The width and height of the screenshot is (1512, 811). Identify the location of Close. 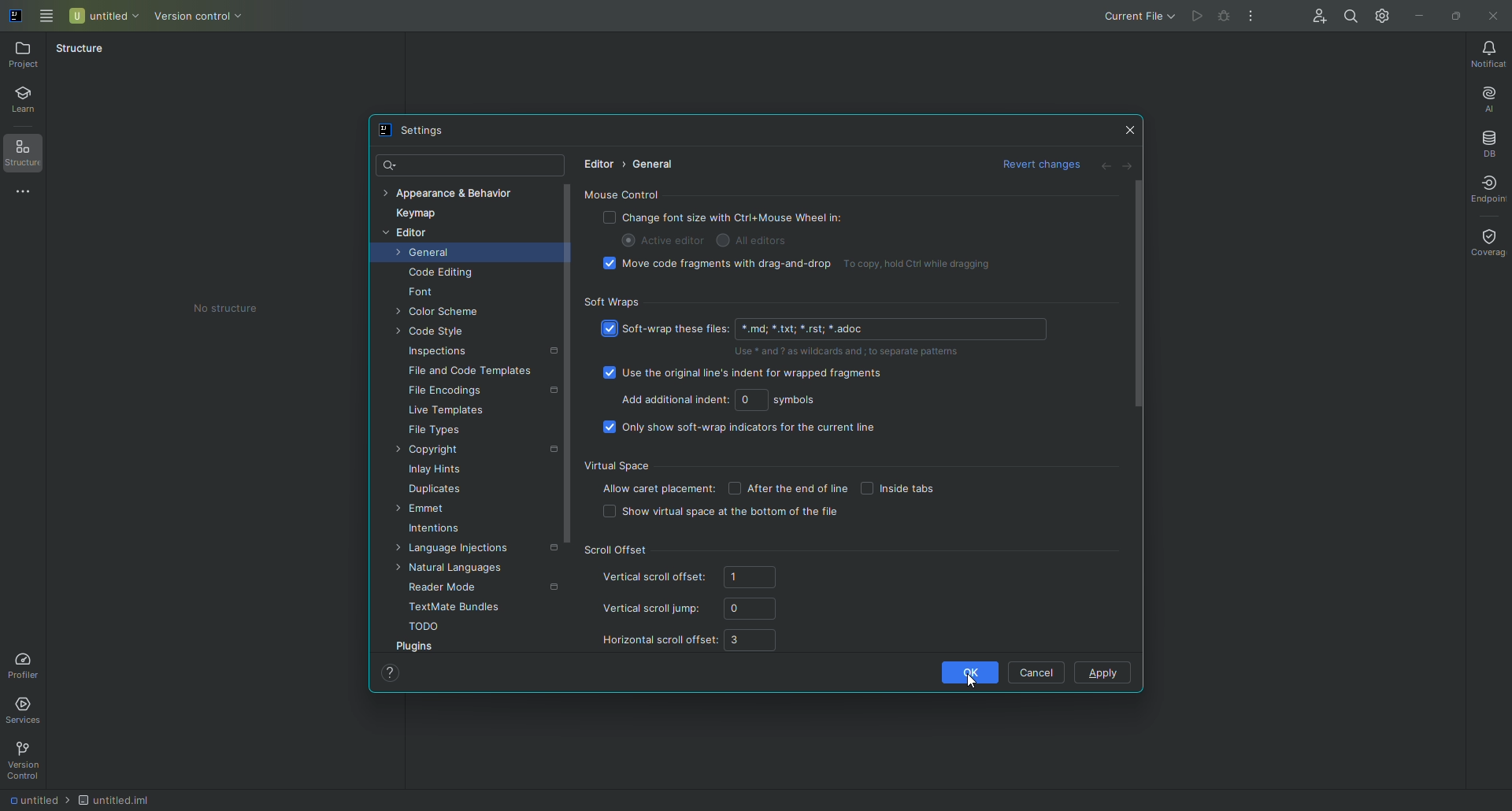
(1128, 128).